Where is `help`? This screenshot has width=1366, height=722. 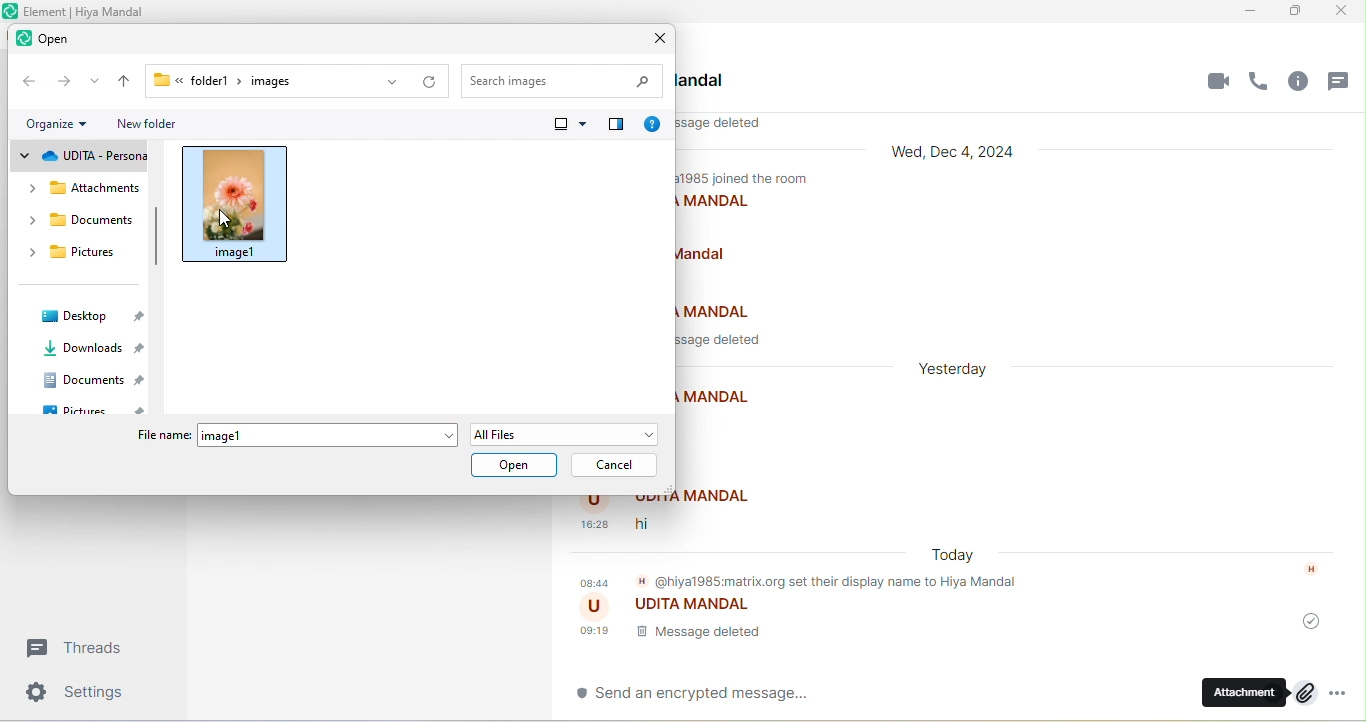
help is located at coordinates (652, 126).